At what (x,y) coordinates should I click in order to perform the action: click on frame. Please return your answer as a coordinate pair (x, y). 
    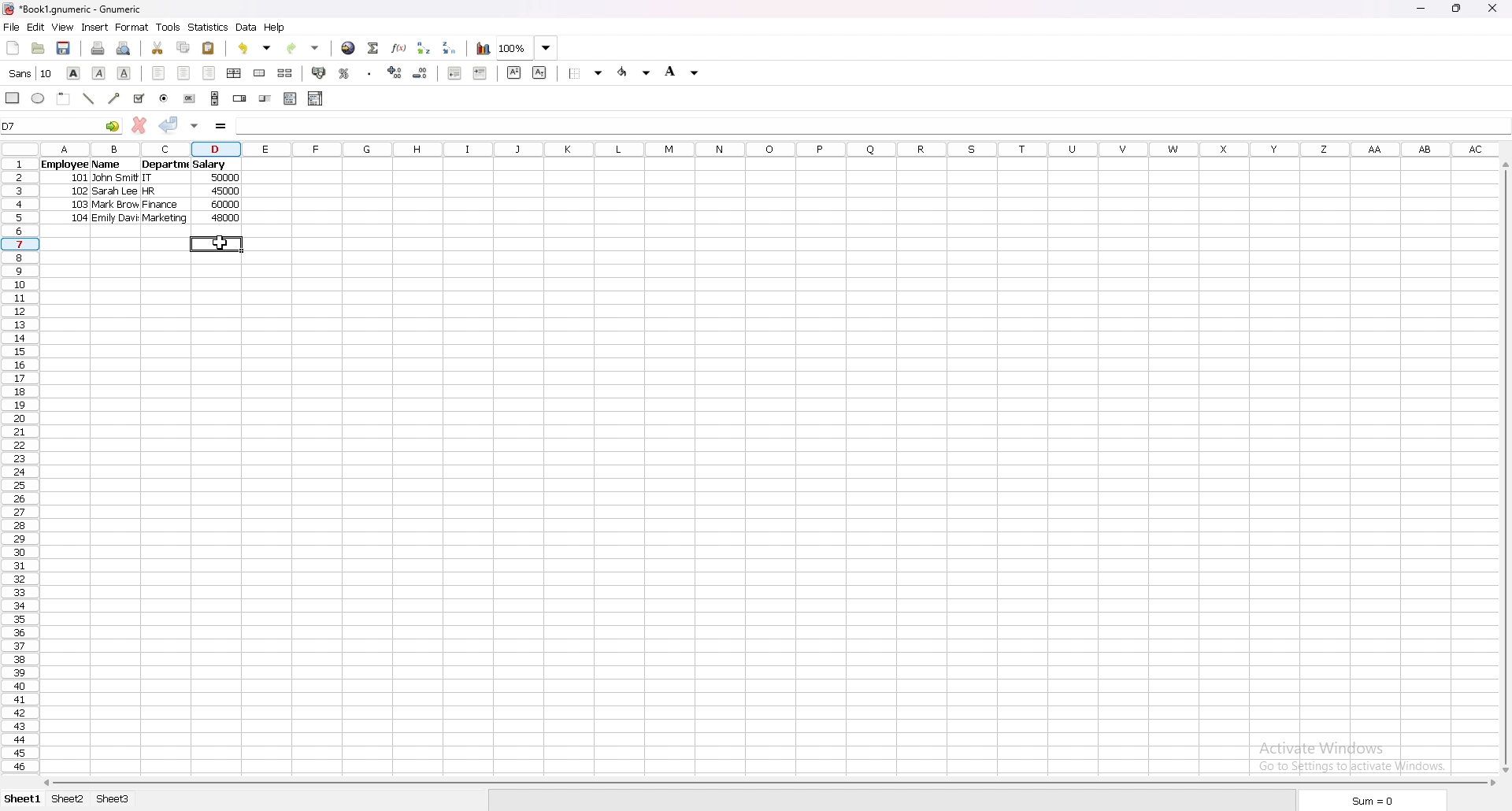
    Looking at the image, I should click on (64, 98).